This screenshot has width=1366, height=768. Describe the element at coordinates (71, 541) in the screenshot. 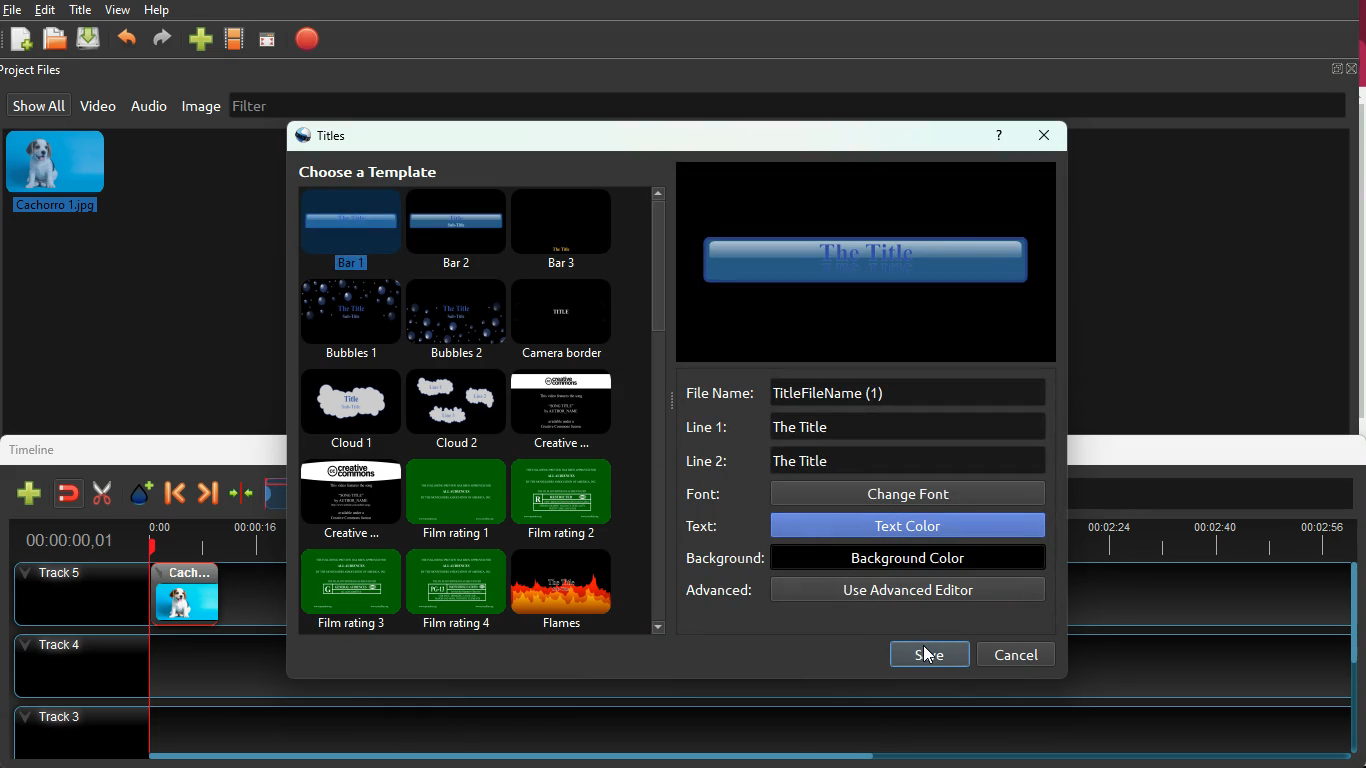

I see `` at that location.